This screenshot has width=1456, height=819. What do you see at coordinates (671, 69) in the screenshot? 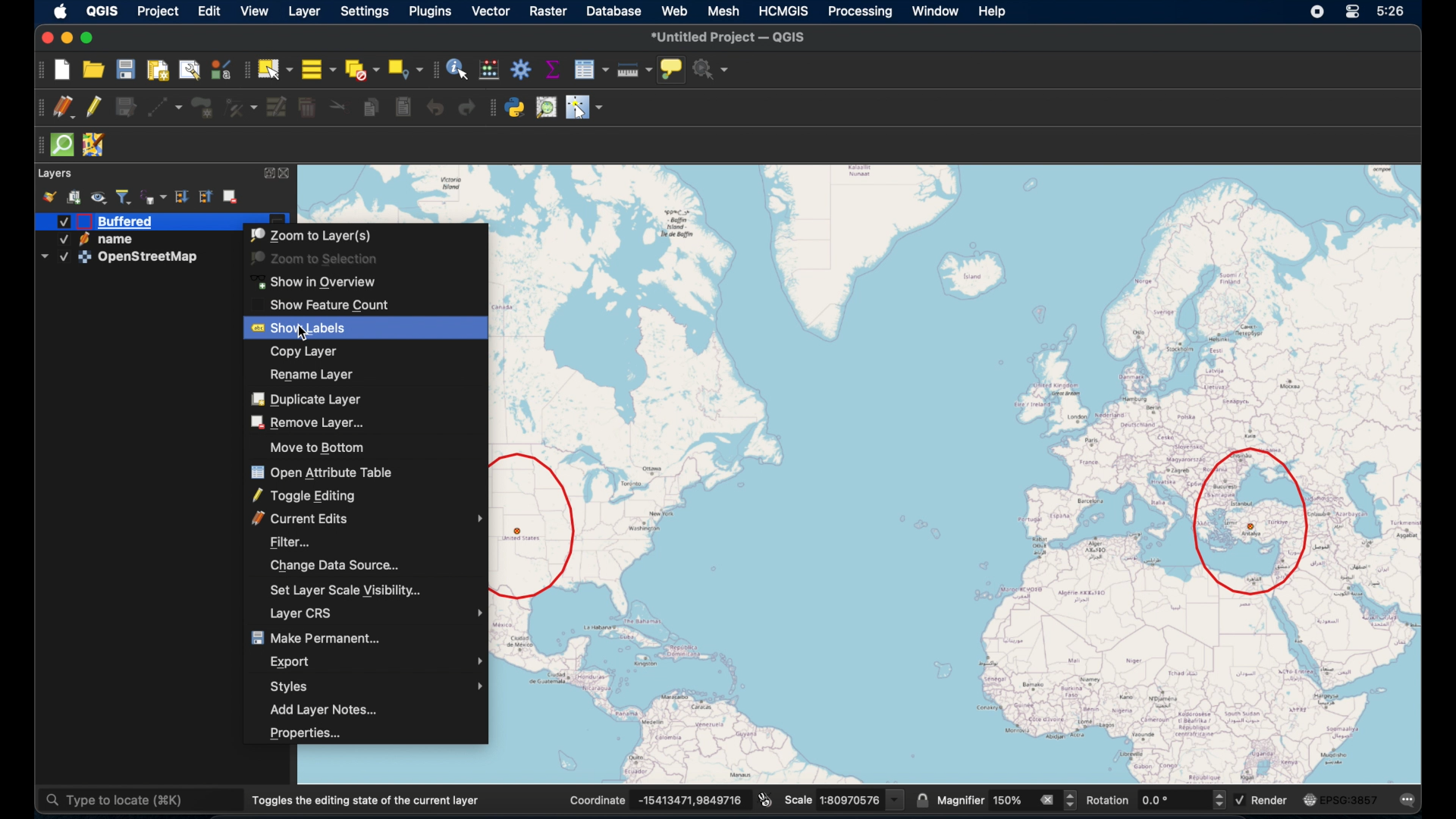
I see `show map tips` at bounding box center [671, 69].